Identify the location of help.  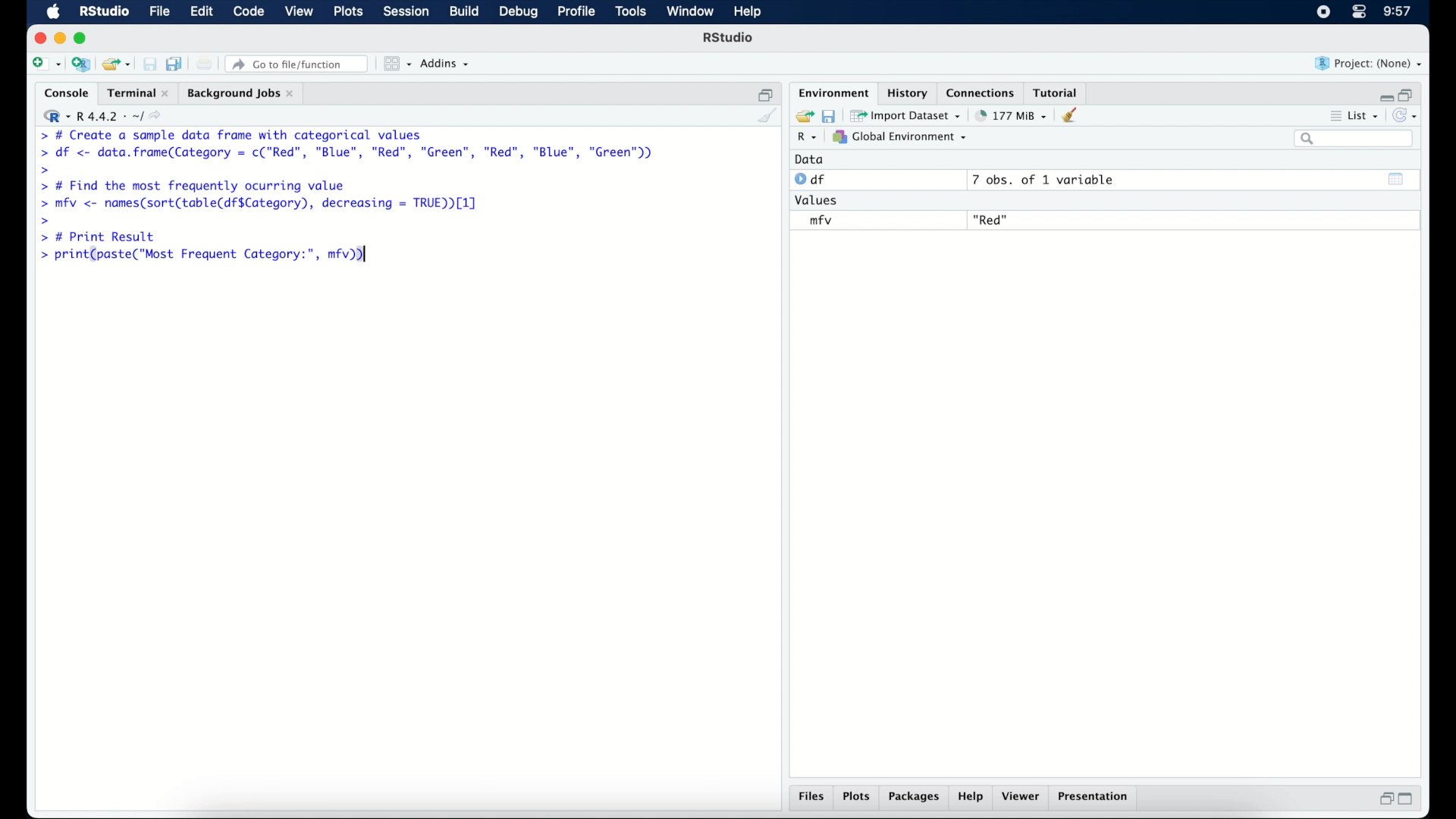
(973, 798).